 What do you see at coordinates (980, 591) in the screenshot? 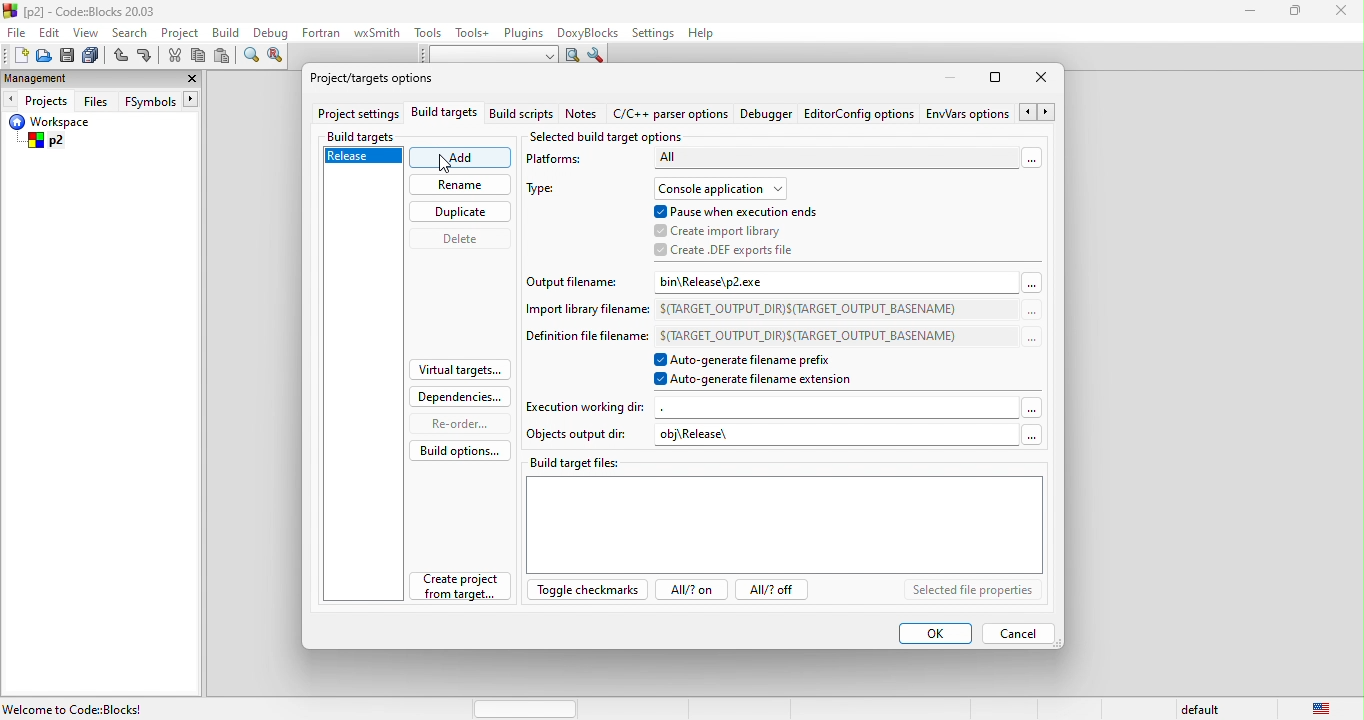
I see `selected file properties` at bounding box center [980, 591].